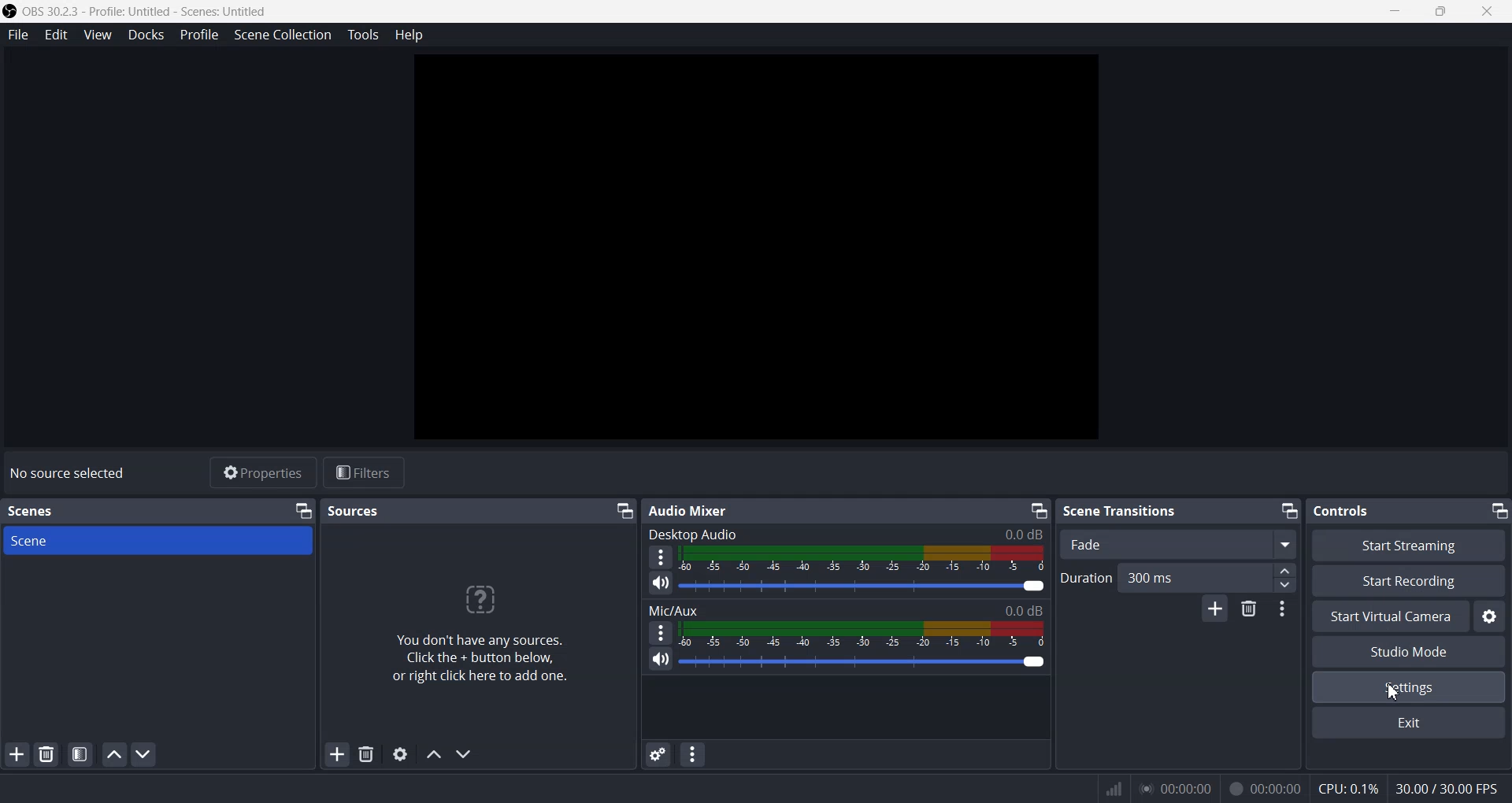  What do you see at coordinates (197, 36) in the screenshot?
I see `Profile` at bounding box center [197, 36].